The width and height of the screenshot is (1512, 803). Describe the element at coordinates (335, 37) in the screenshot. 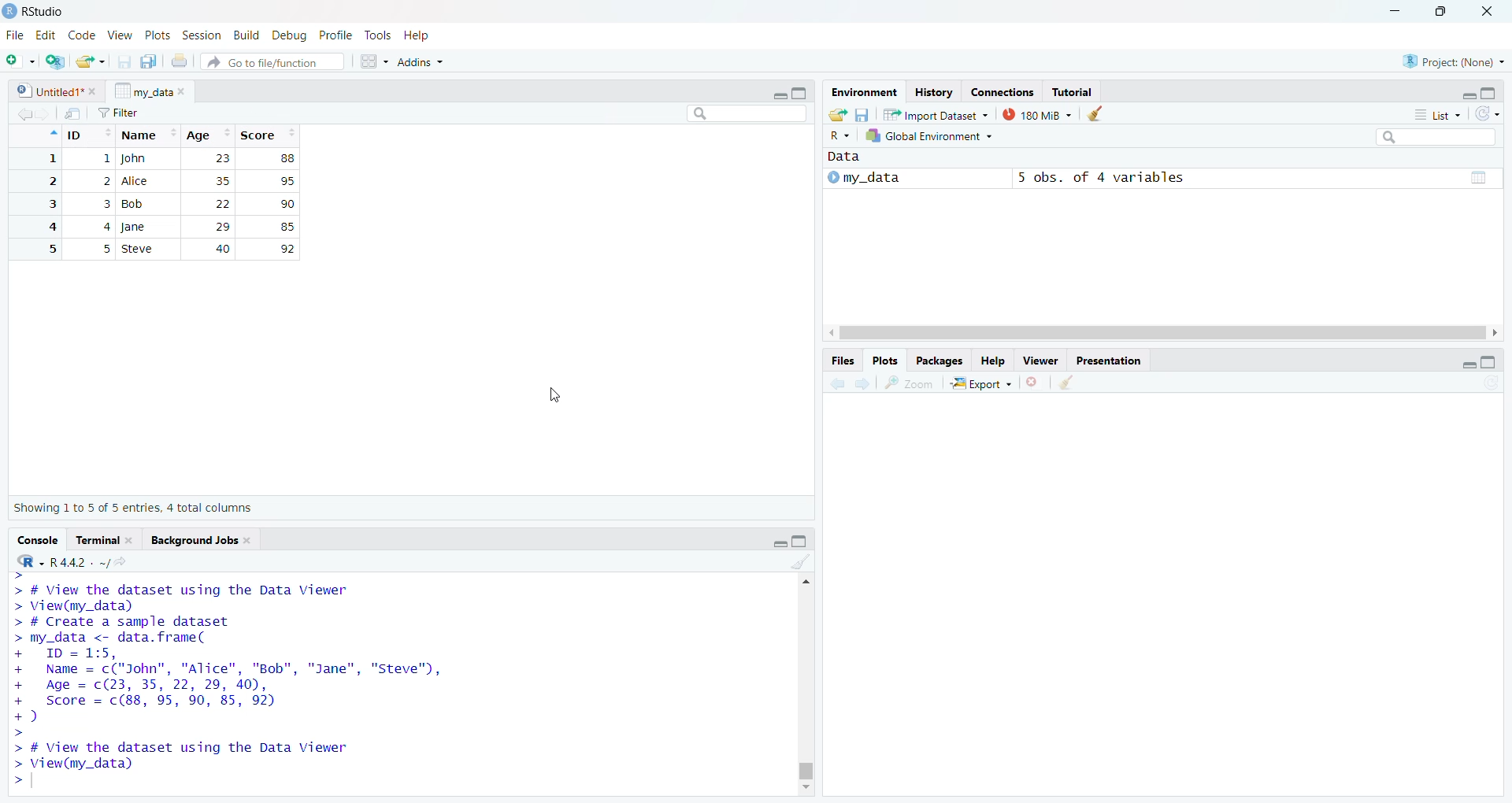

I see `Profile` at that location.